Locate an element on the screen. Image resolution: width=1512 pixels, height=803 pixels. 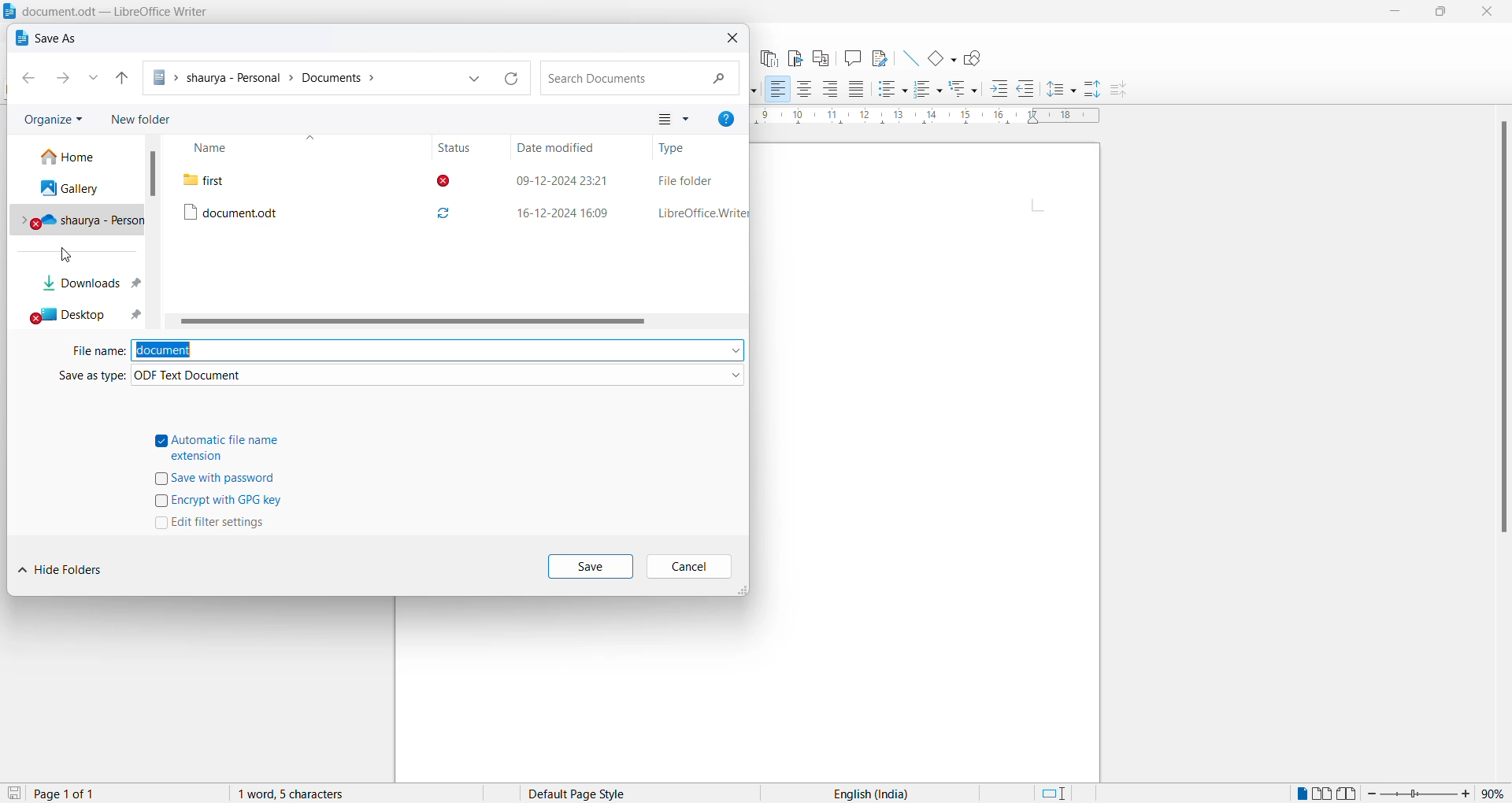
save is located at coordinates (589, 568).